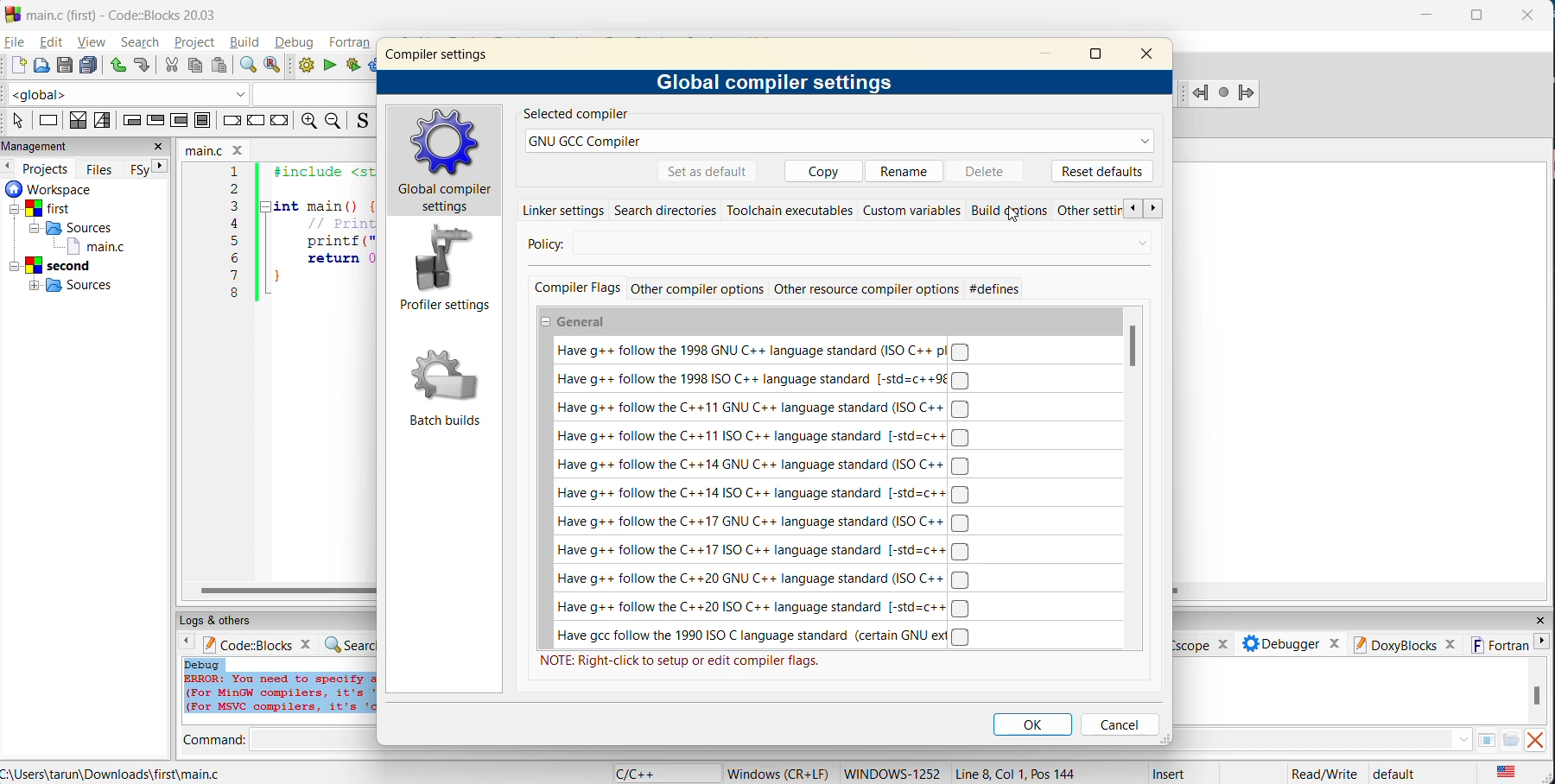  I want to click on other compiler options, so click(700, 287).